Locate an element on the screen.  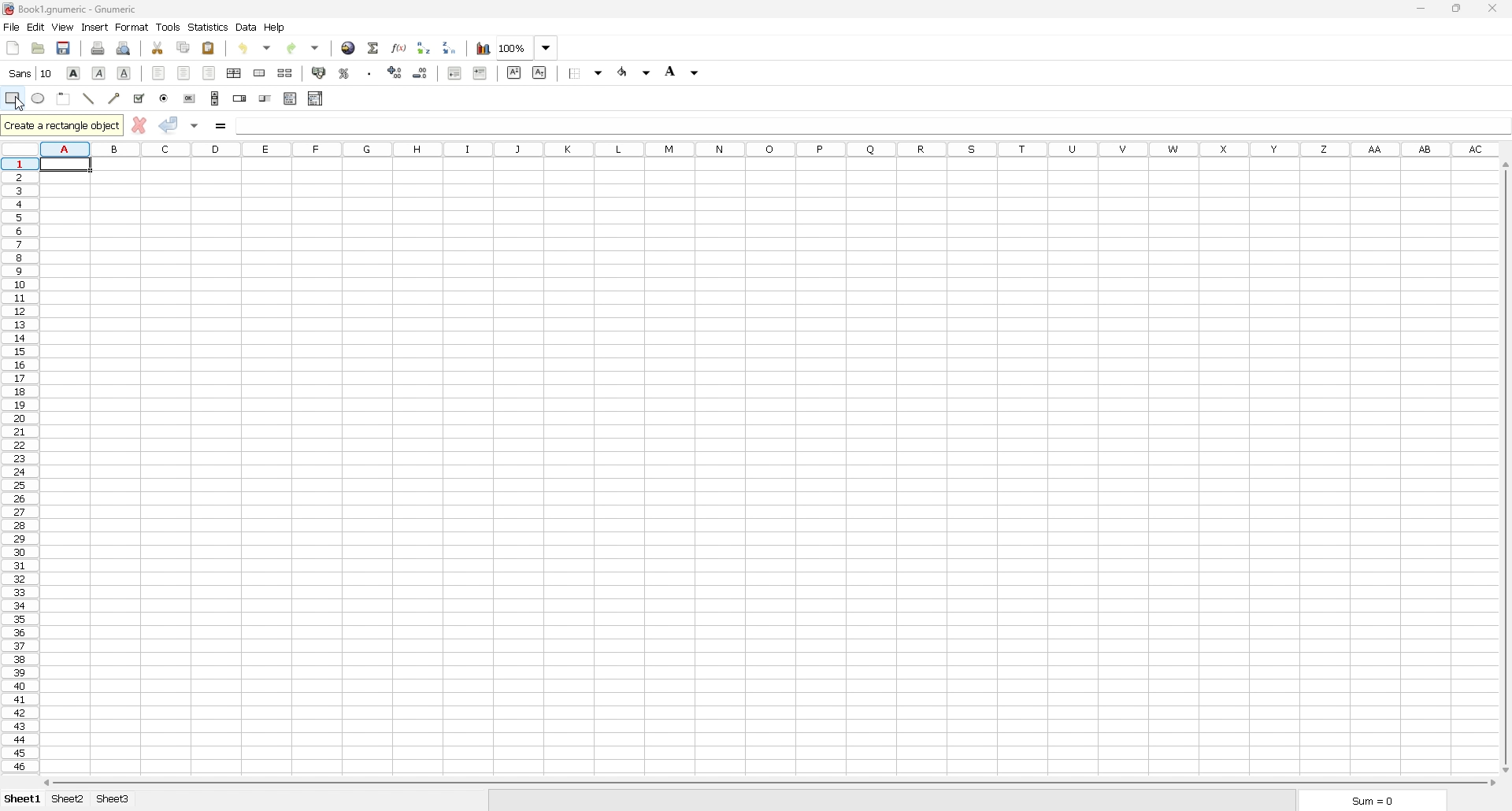
subscript is located at coordinates (540, 72).